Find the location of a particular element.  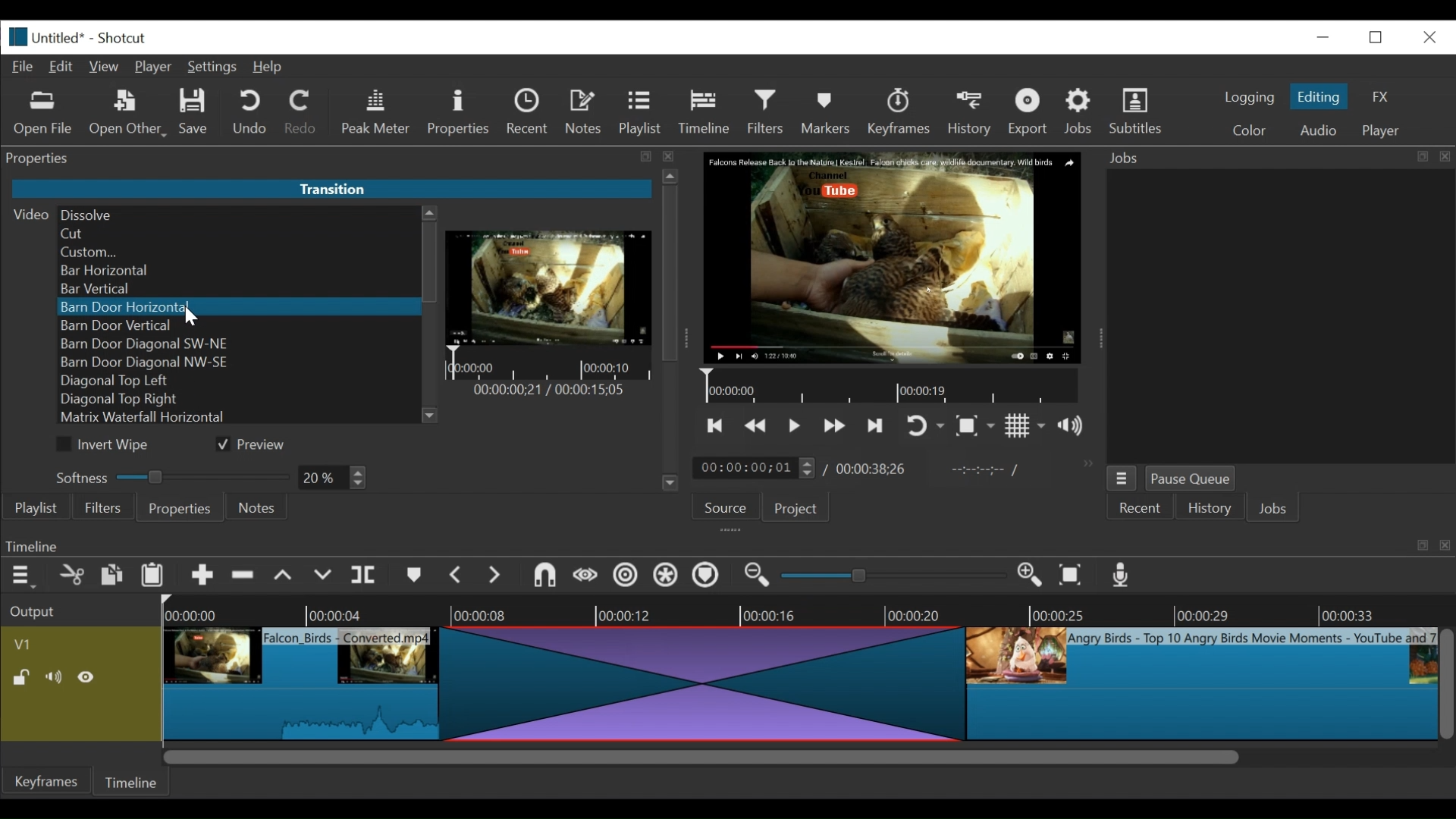

lift is located at coordinates (285, 577).